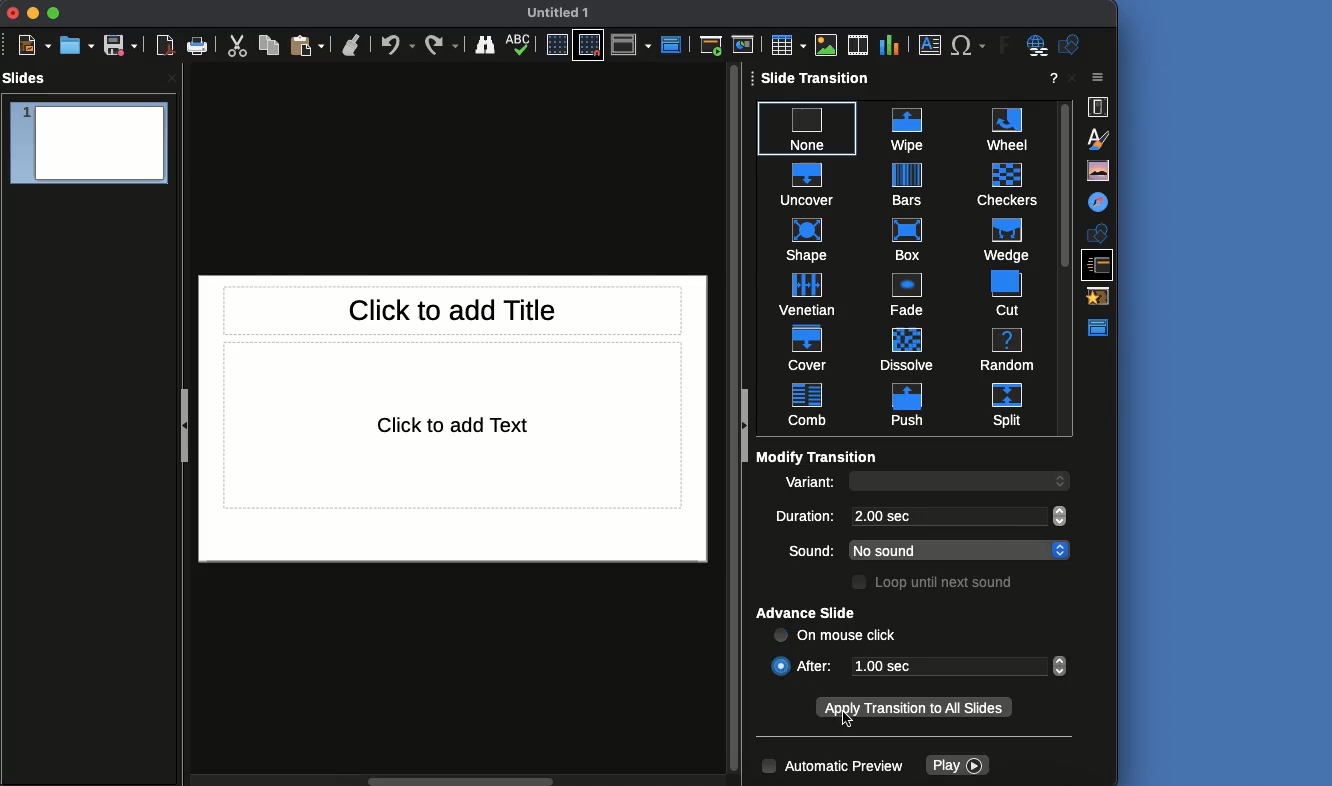 Image resolution: width=1332 pixels, height=786 pixels. What do you see at coordinates (235, 46) in the screenshot?
I see `Cut` at bounding box center [235, 46].